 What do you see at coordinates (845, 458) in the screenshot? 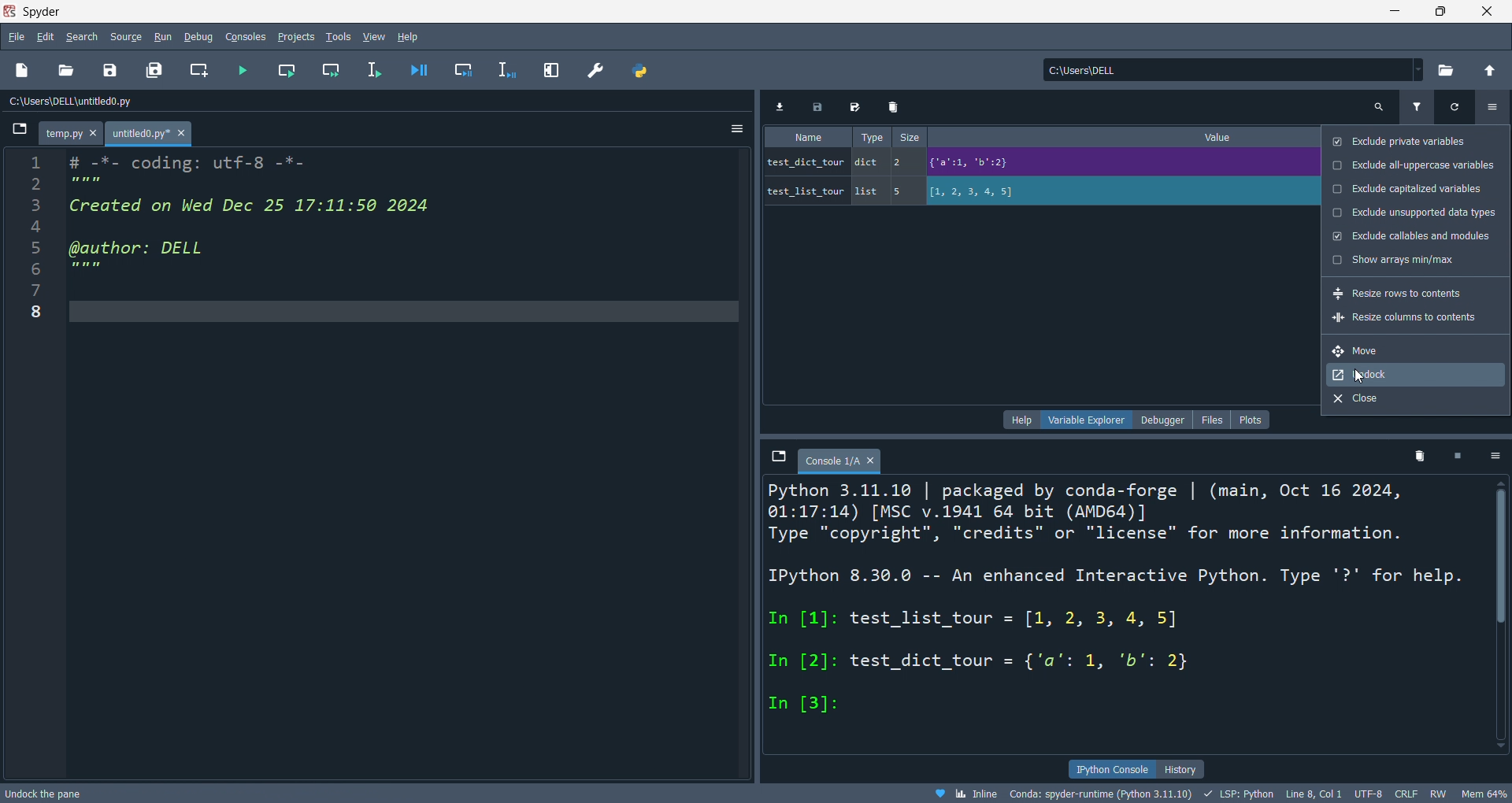
I see `console1/a` at bounding box center [845, 458].